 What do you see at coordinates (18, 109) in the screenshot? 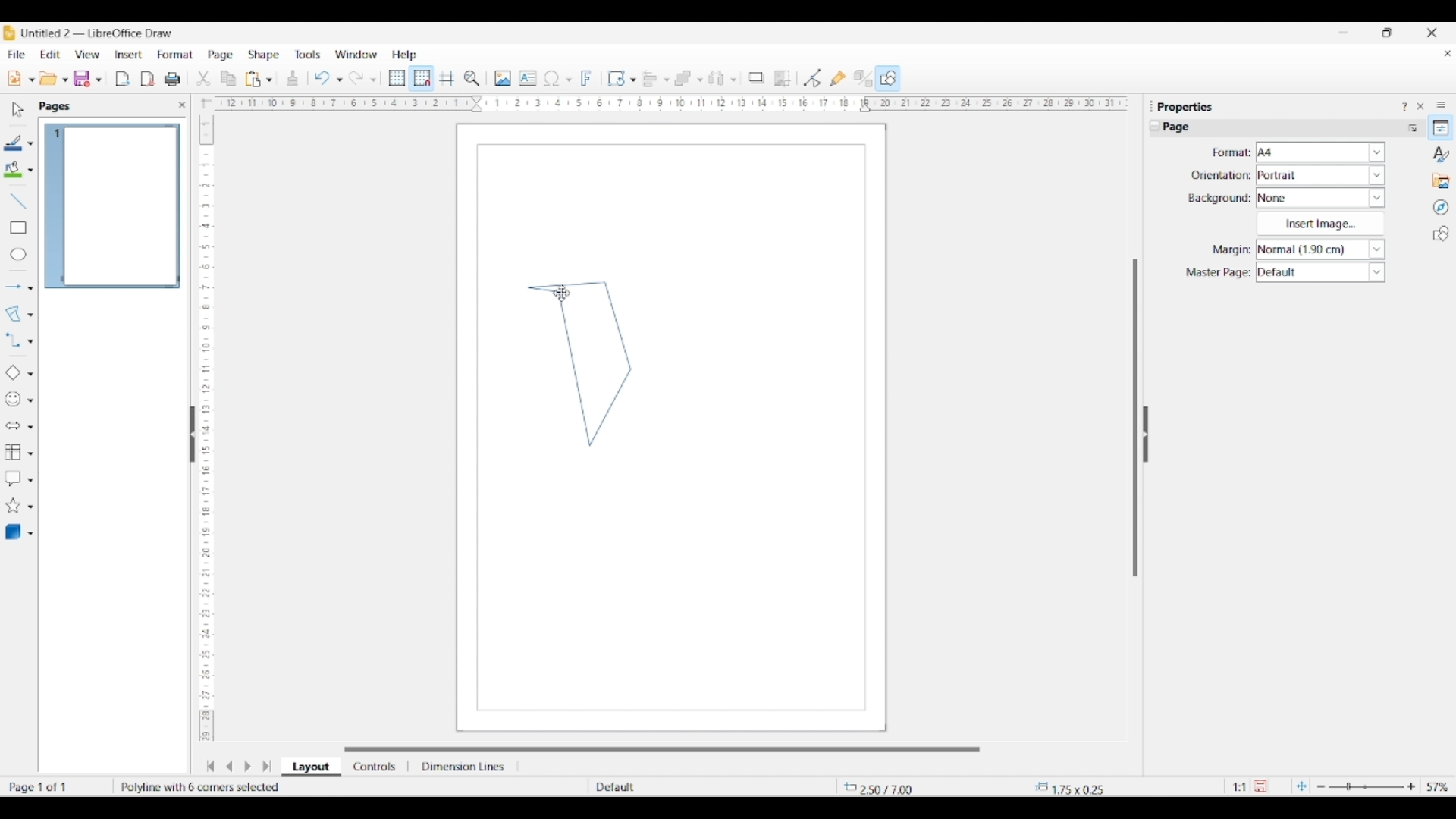
I see `Select` at bounding box center [18, 109].